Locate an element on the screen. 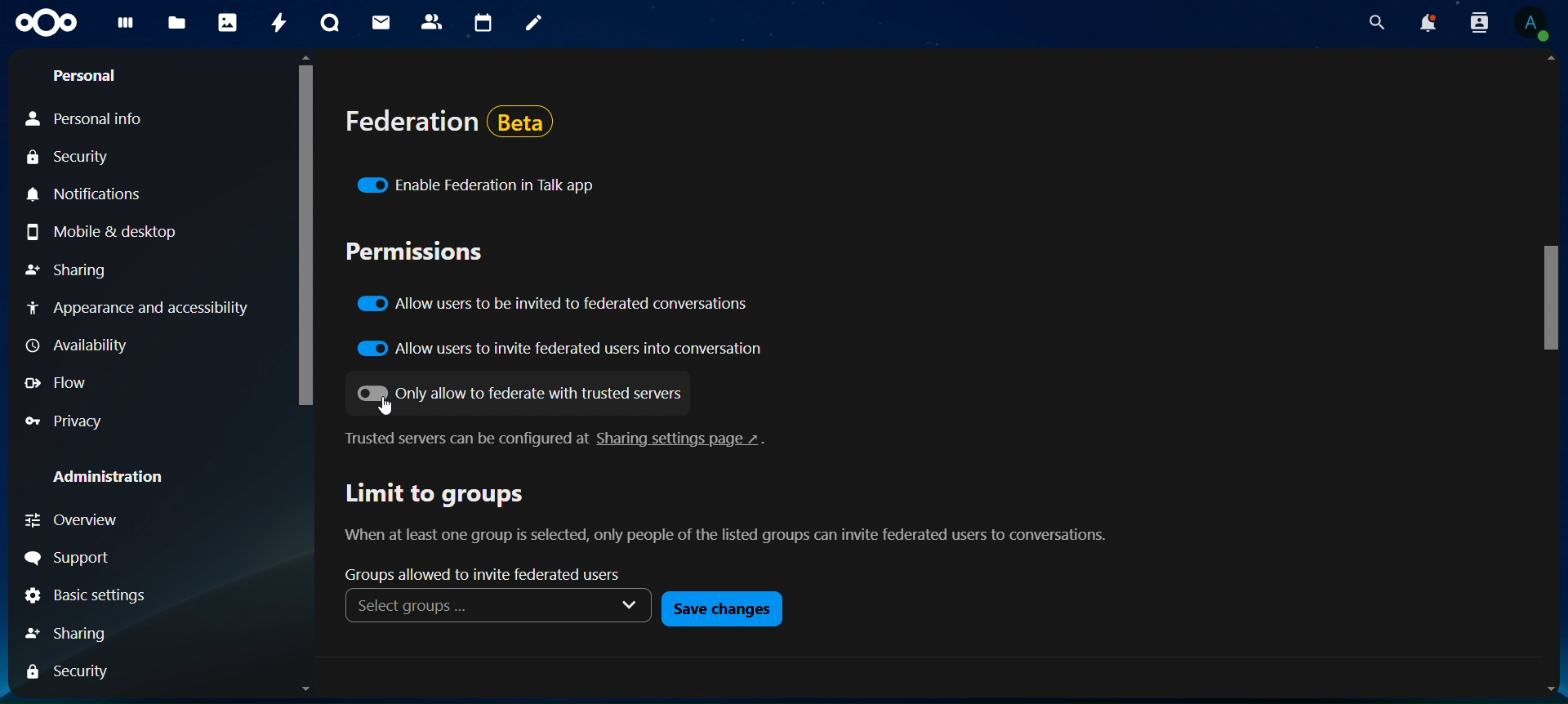 This screenshot has height=704, width=1568. notifications is located at coordinates (95, 196).